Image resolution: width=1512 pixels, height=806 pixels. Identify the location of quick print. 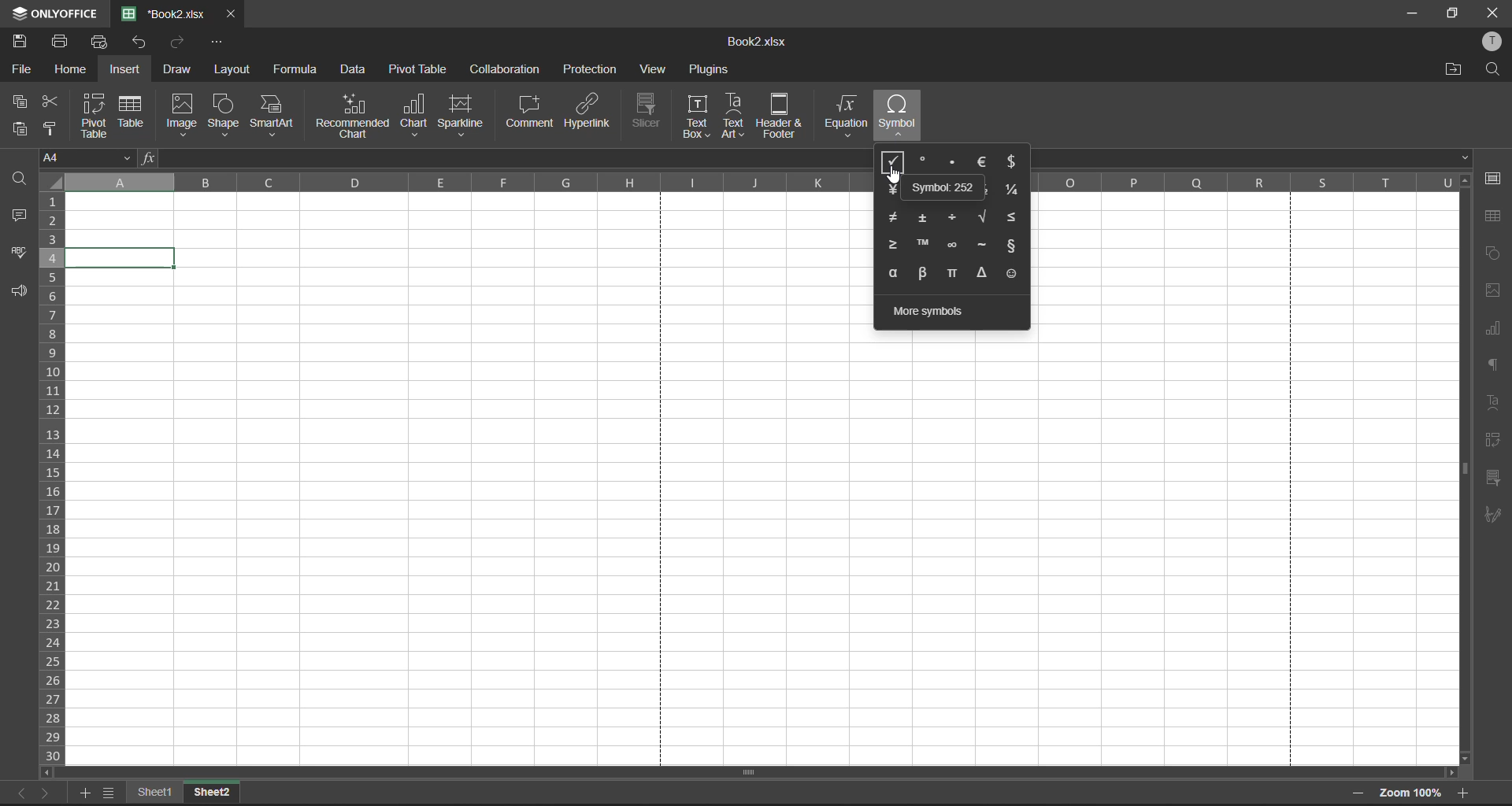
(100, 42).